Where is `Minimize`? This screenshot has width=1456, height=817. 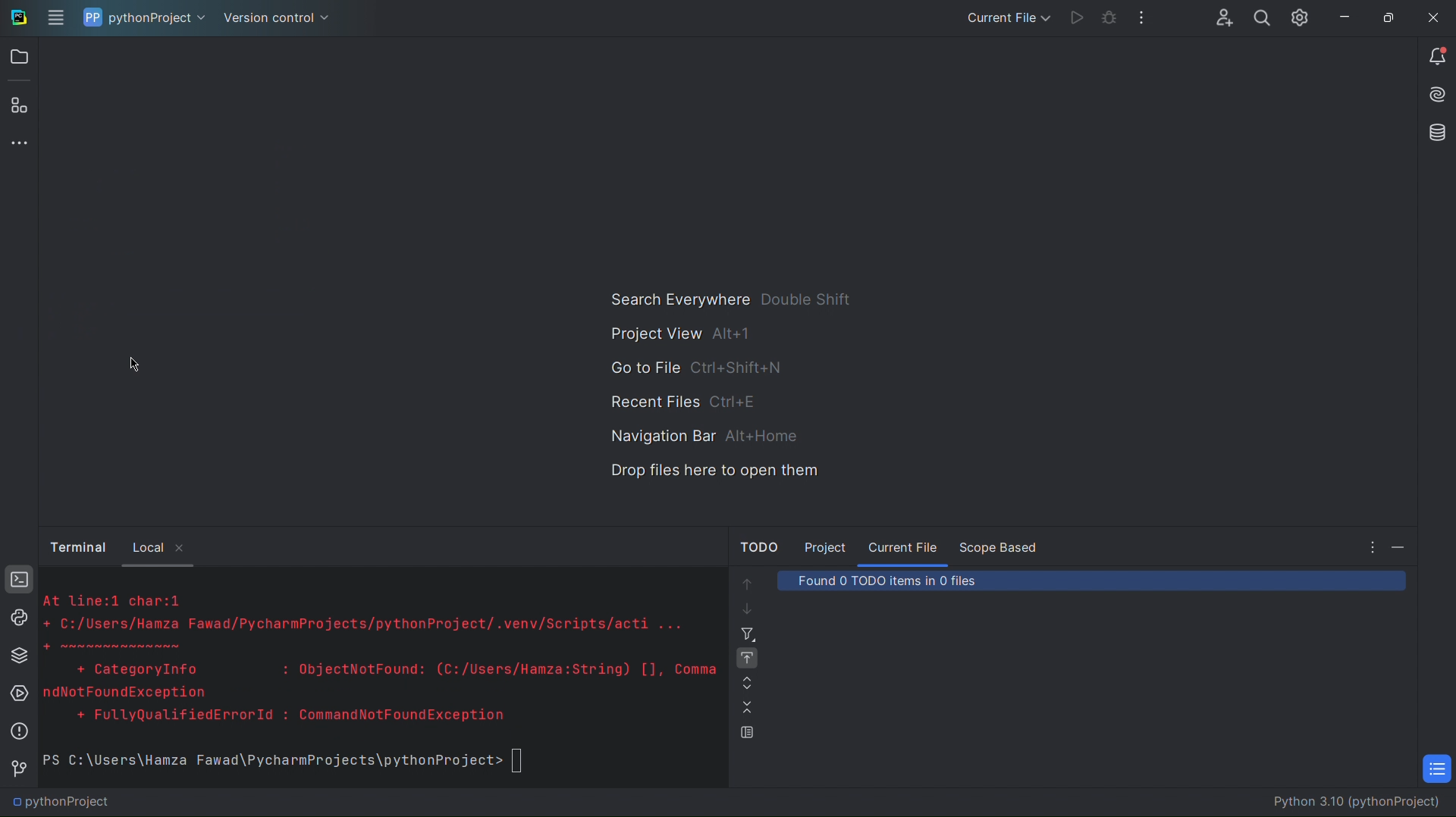
Minimize is located at coordinates (1399, 546).